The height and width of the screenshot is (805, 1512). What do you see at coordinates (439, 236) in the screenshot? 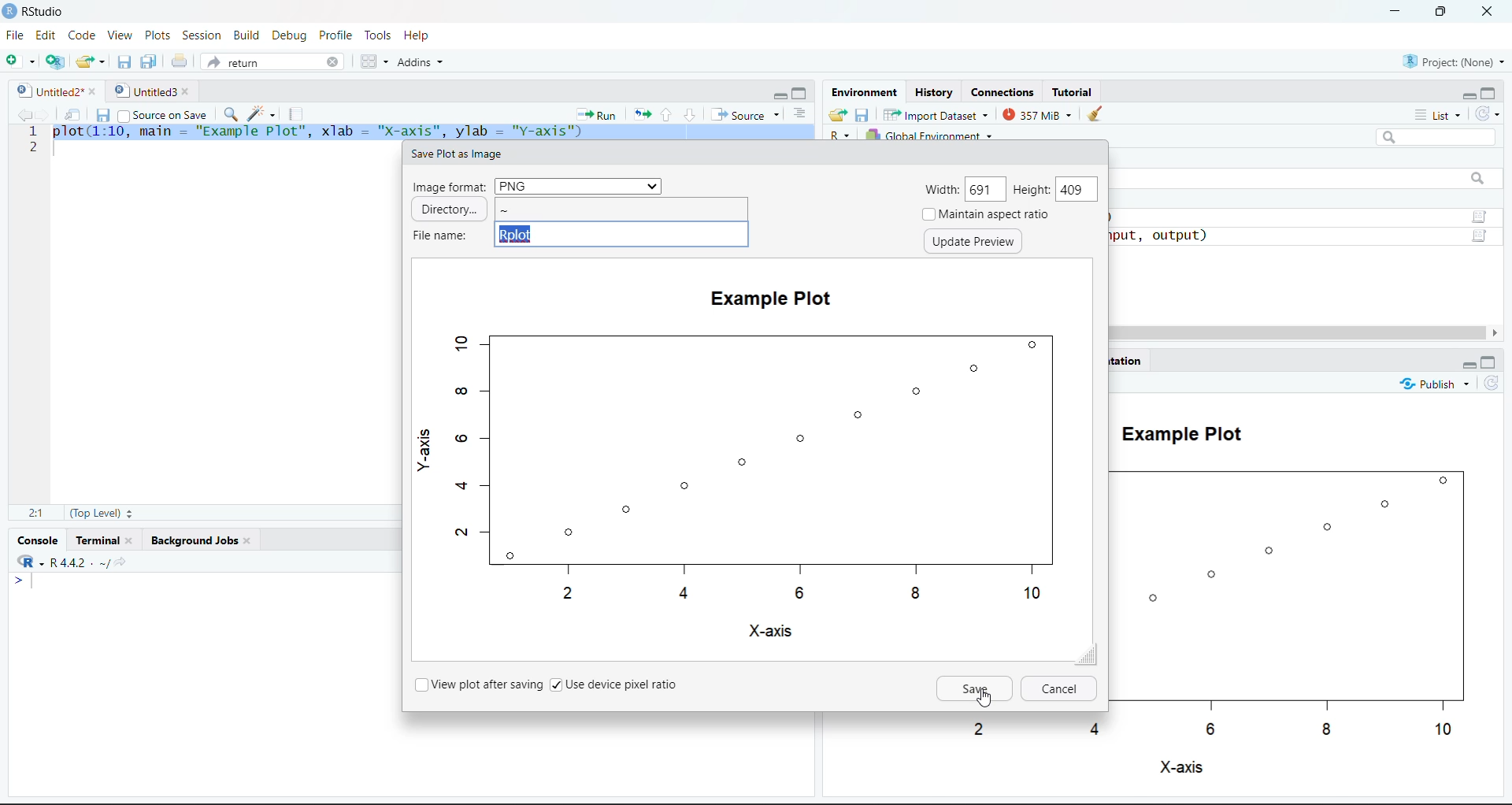
I see `File name:` at bounding box center [439, 236].